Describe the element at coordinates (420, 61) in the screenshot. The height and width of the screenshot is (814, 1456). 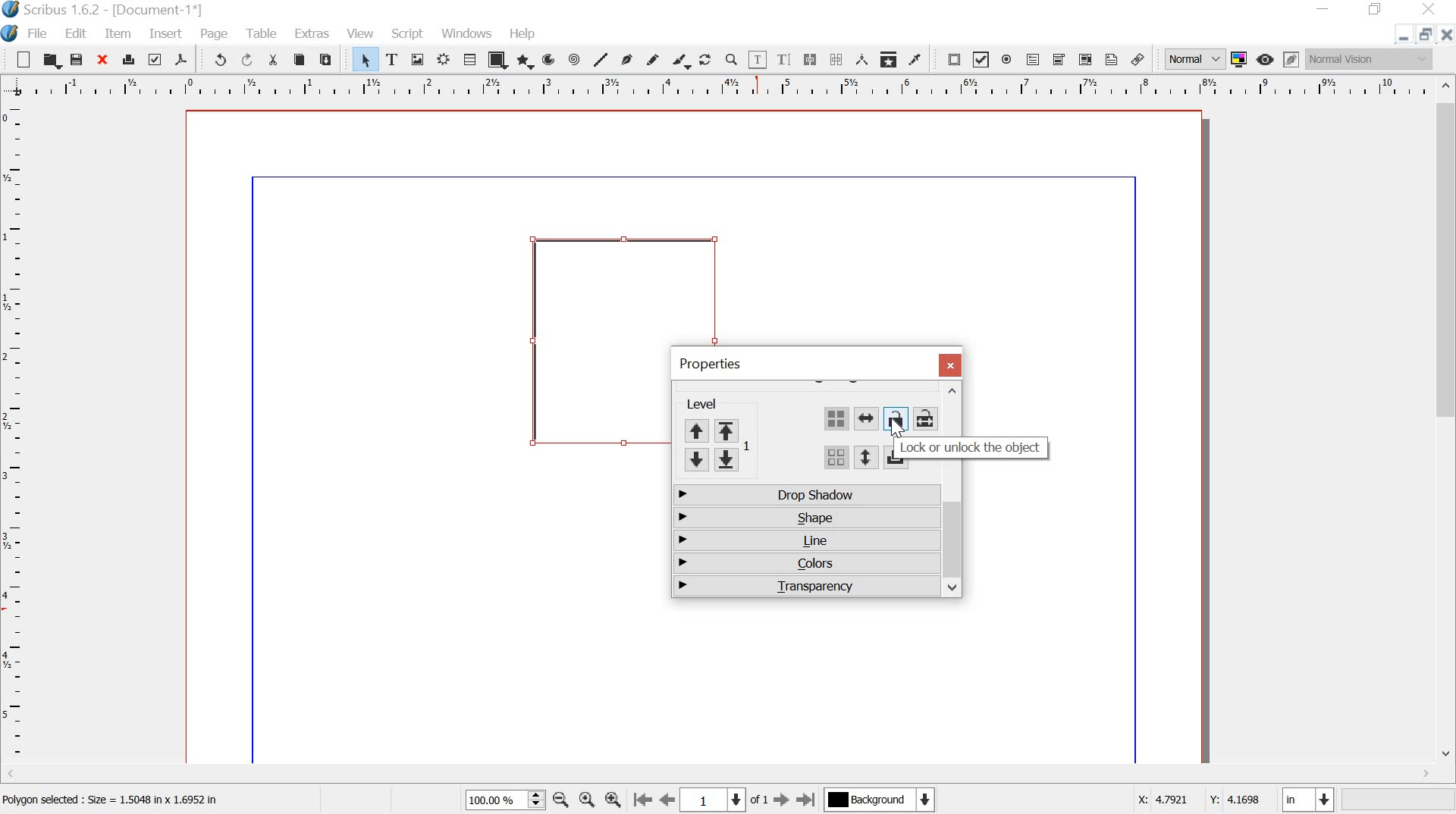
I see `image frame` at that location.